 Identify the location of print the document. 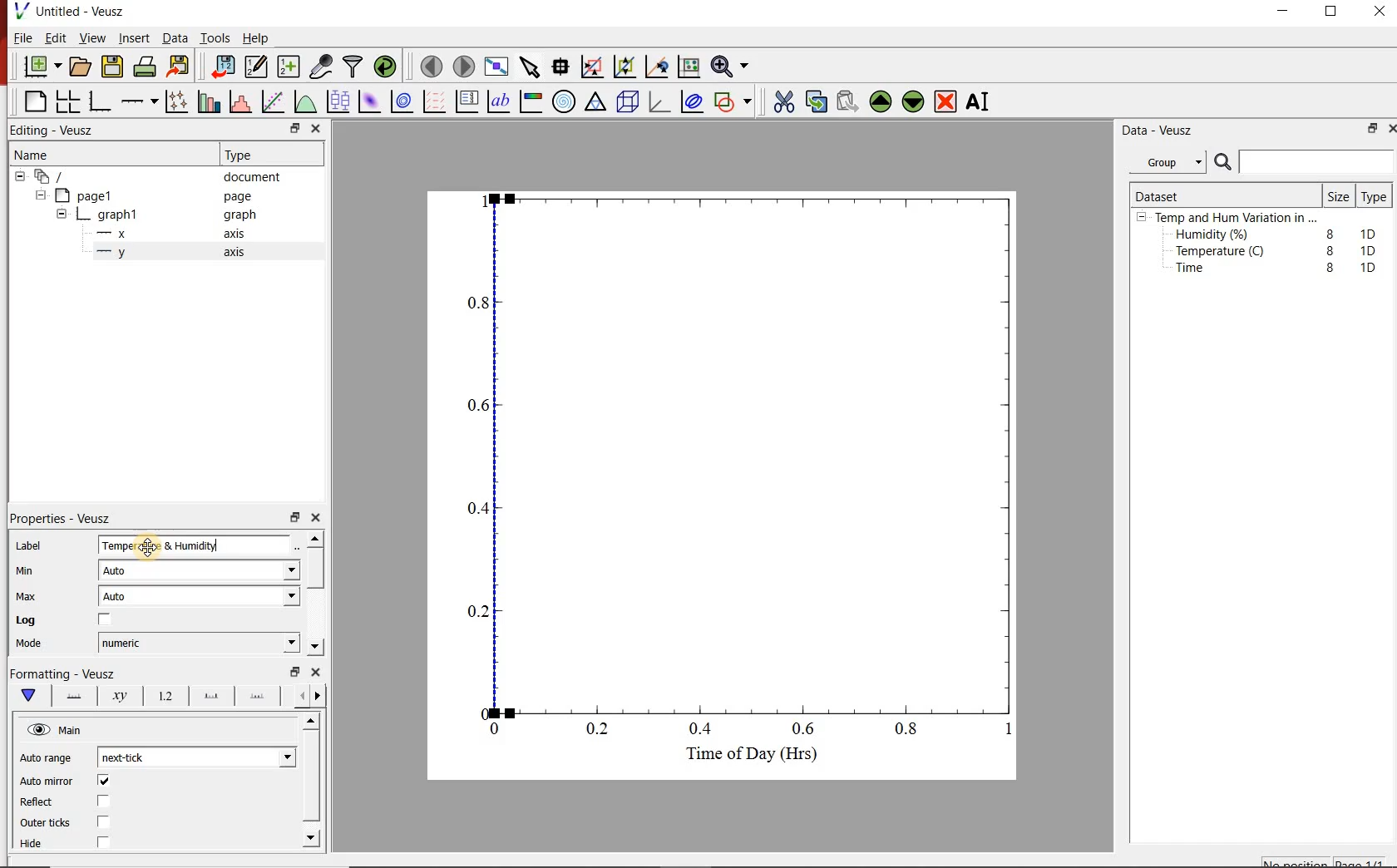
(146, 69).